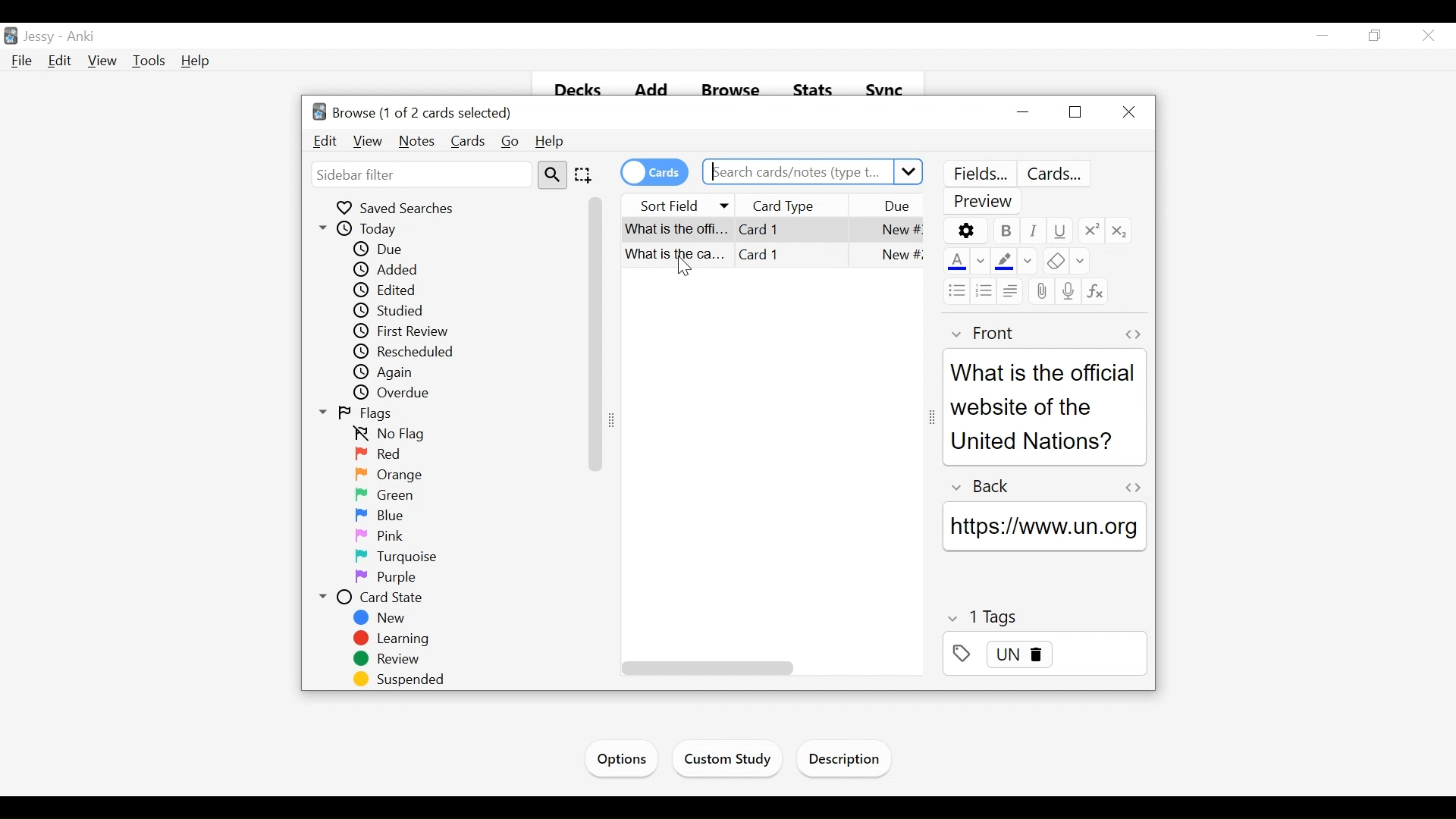  I want to click on Flags, so click(359, 415).